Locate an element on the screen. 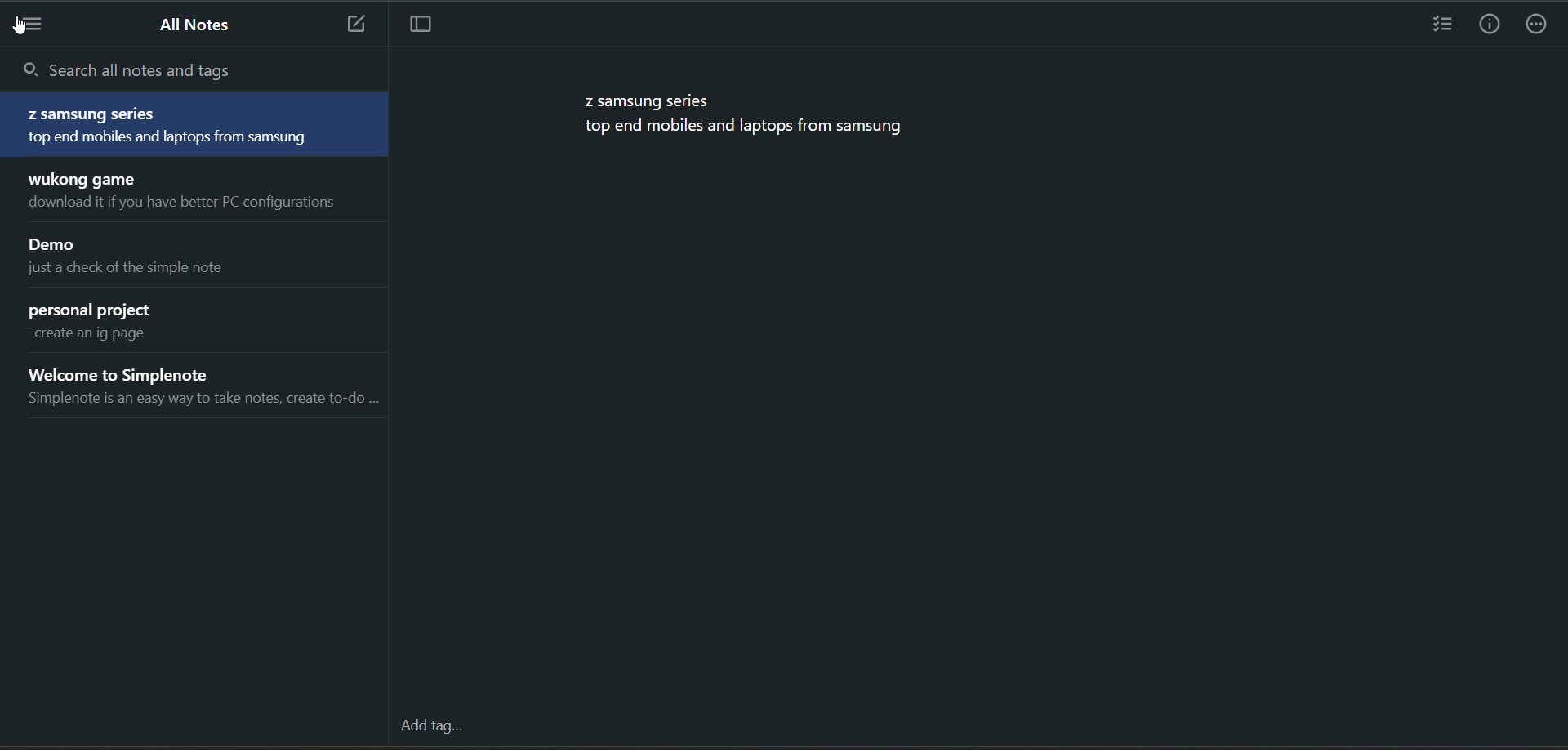 The width and height of the screenshot is (1568, 750). cursor is located at coordinates (20, 29).